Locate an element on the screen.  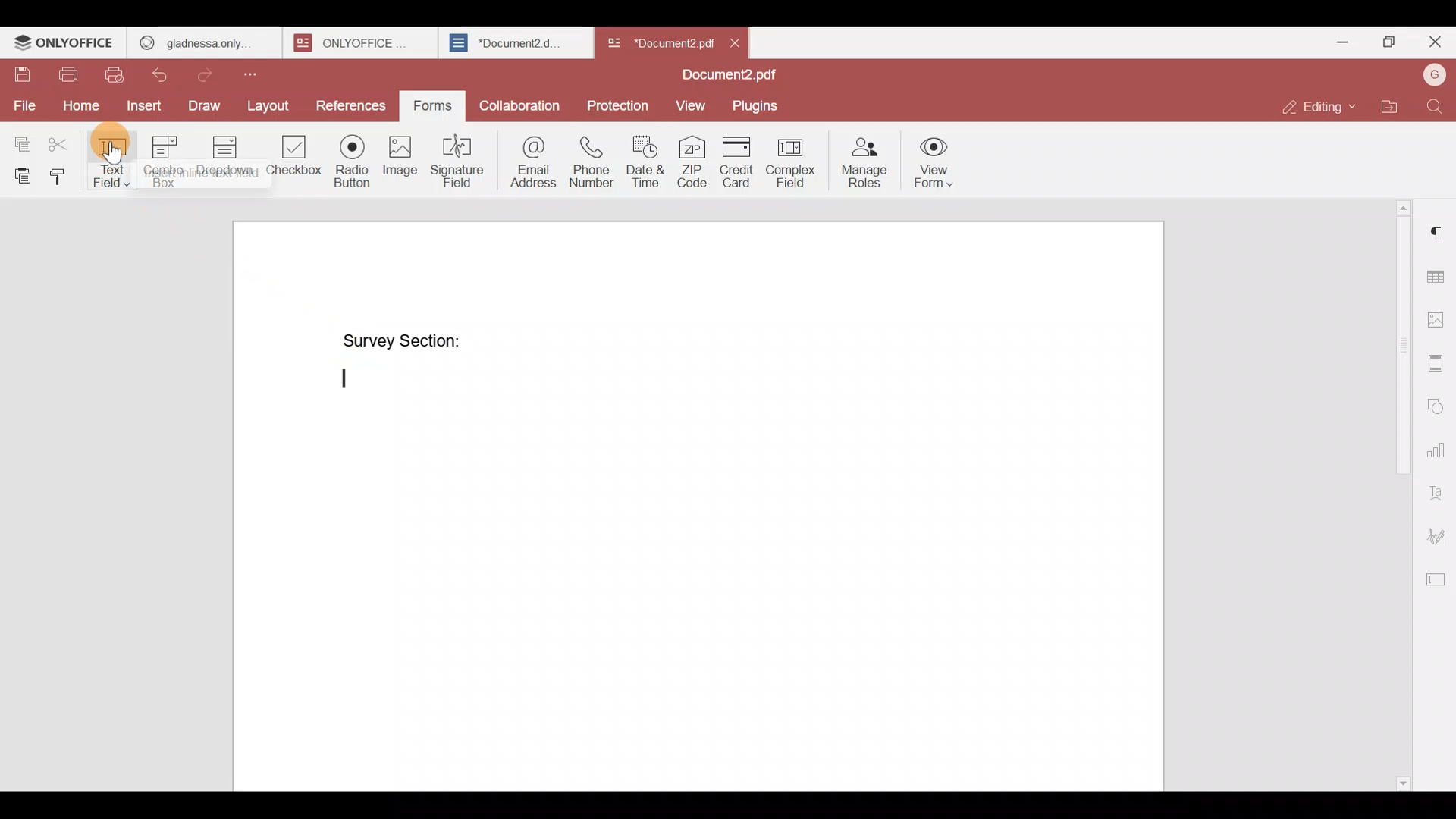
Table settings is located at coordinates (1439, 275).